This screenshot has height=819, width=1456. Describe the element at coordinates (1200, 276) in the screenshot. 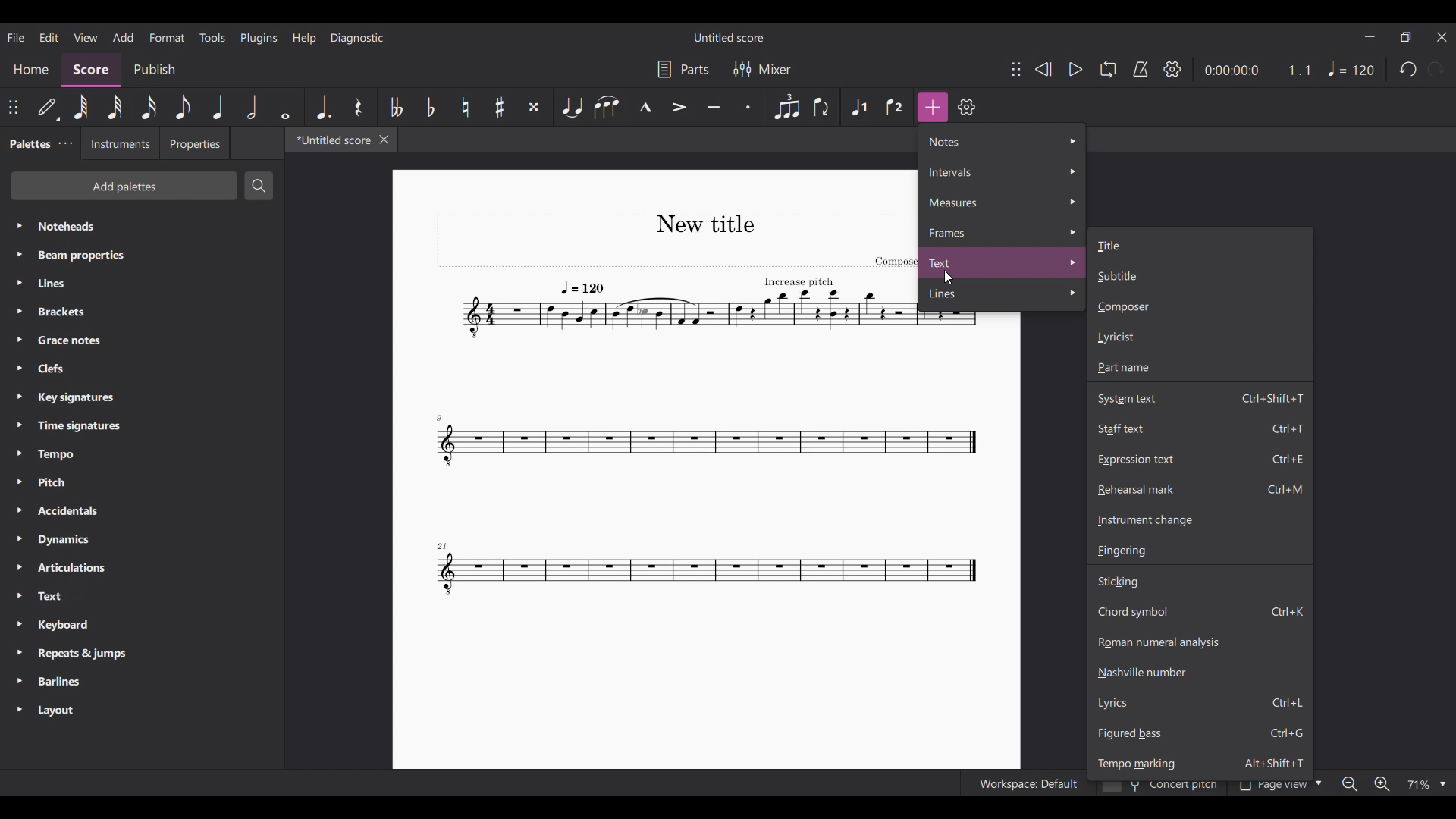

I see `Subtitle` at that location.